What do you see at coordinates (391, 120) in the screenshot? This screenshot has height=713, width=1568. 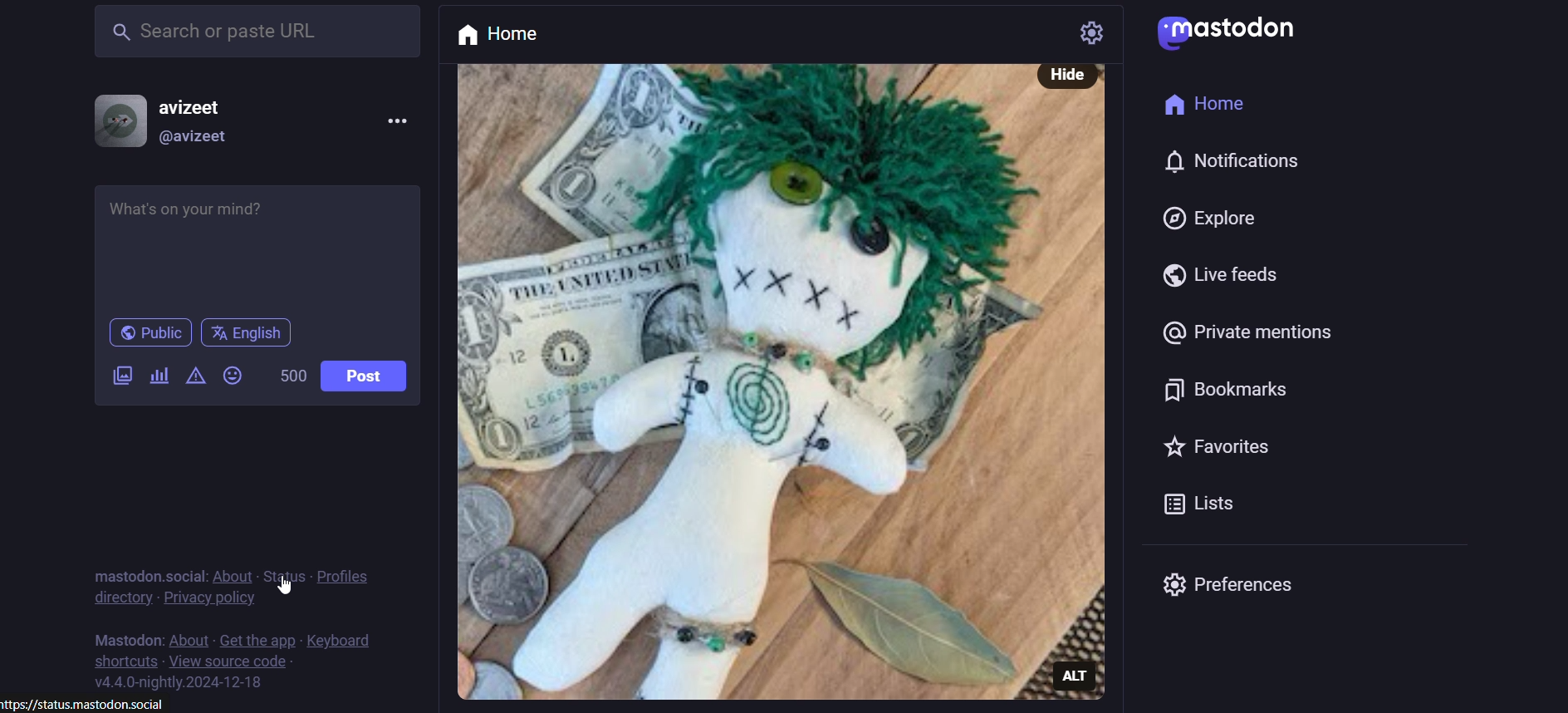 I see `menu` at bounding box center [391, 120].